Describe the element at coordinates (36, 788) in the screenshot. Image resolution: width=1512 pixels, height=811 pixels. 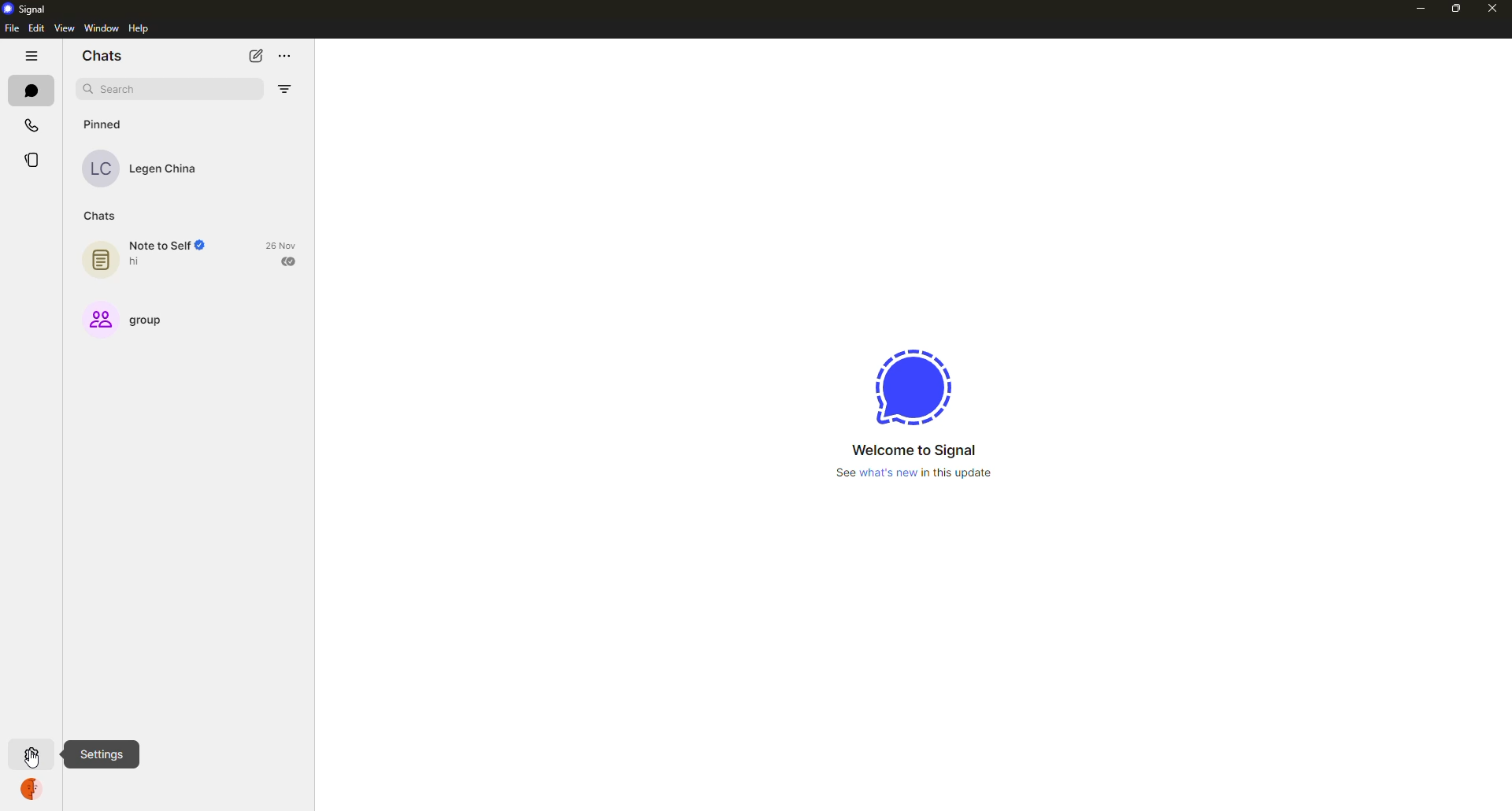
I see `profile` at that location.